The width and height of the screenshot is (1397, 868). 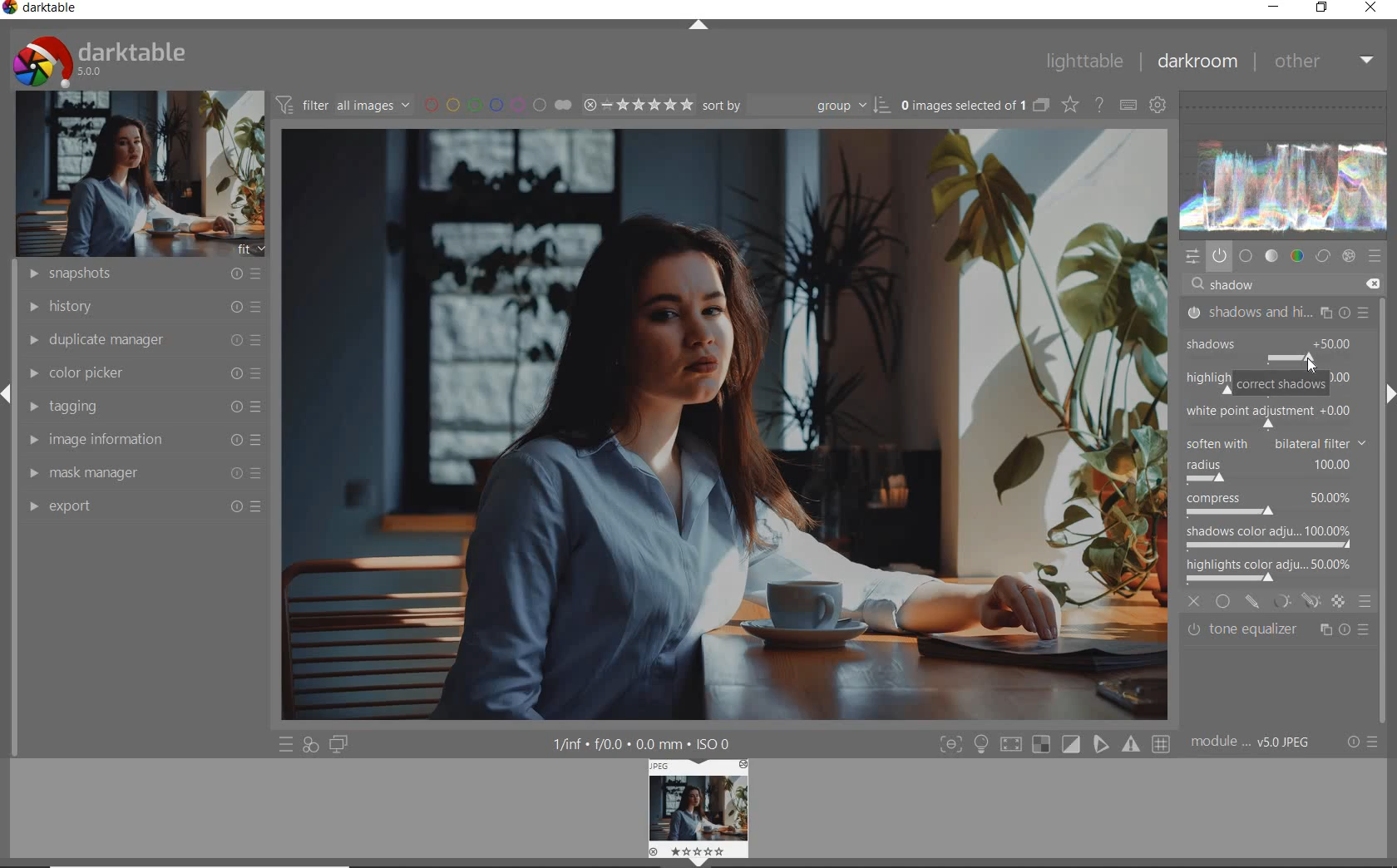 I want to click on reset or presets & preferences , so click(x=1361, y=742).